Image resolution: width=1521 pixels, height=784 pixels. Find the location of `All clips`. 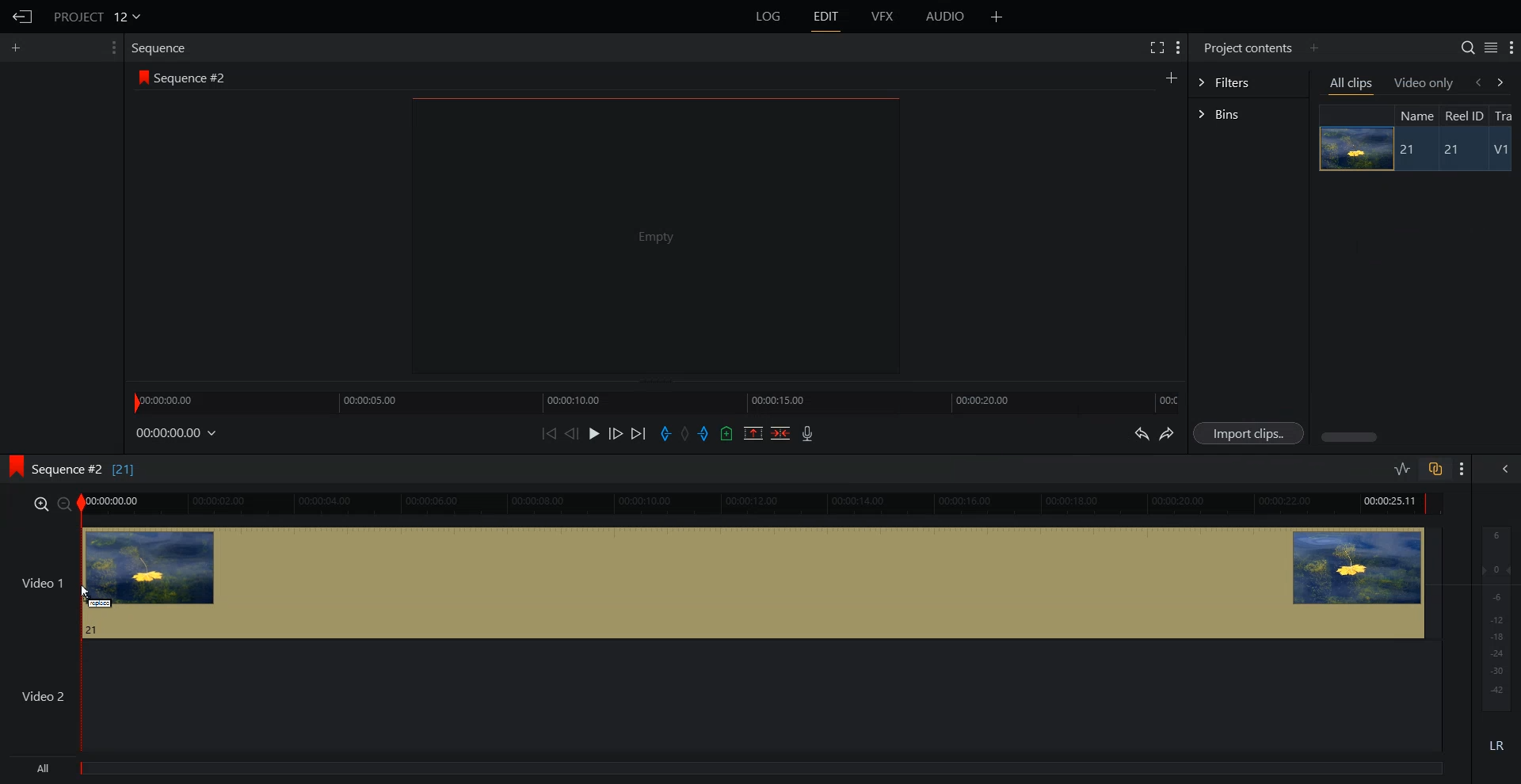

All clips is located at coordinates (1352, 84).